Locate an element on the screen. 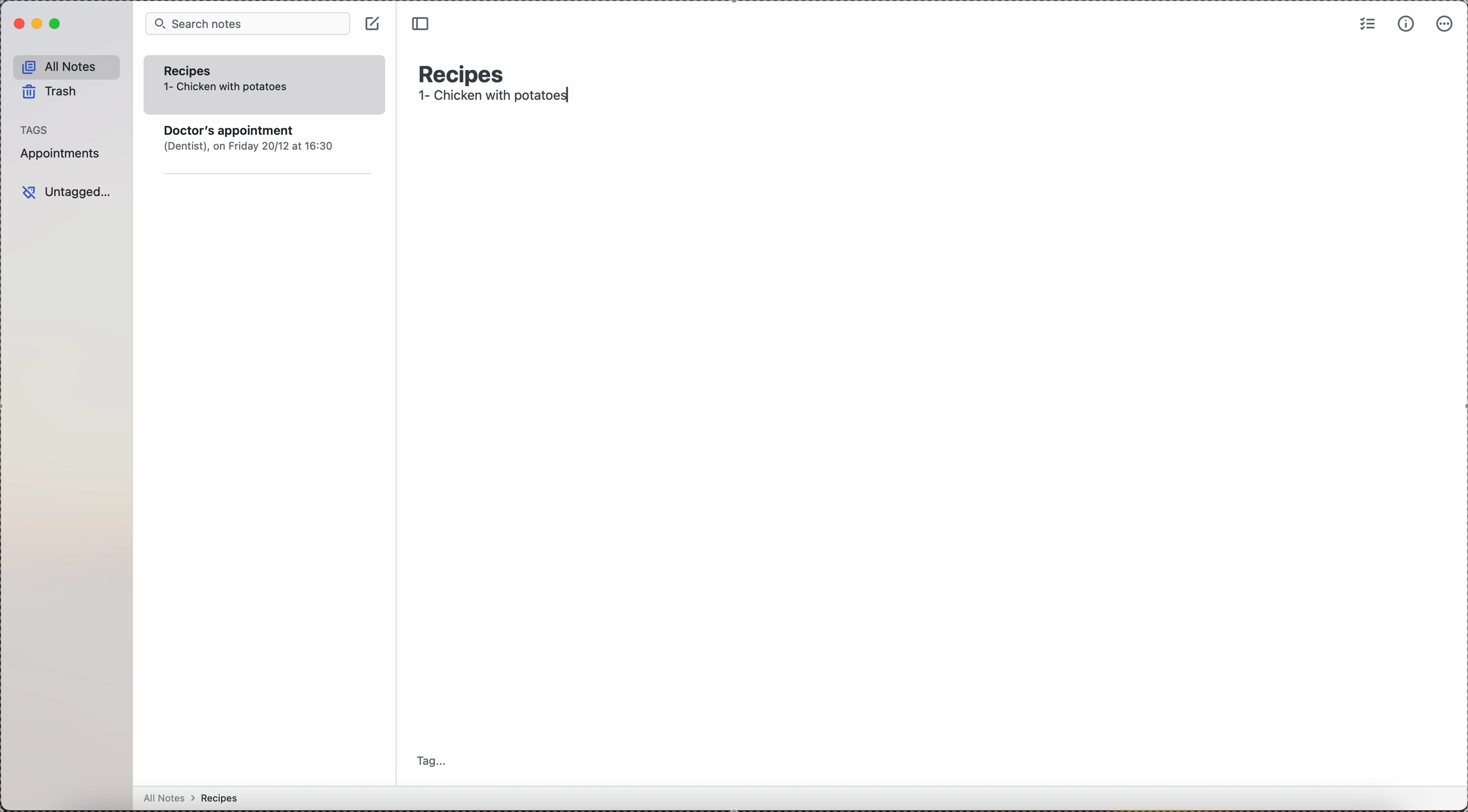 The width and height of the screenshot is (1468, 812). click on create note is located at coordinates (372, 24).